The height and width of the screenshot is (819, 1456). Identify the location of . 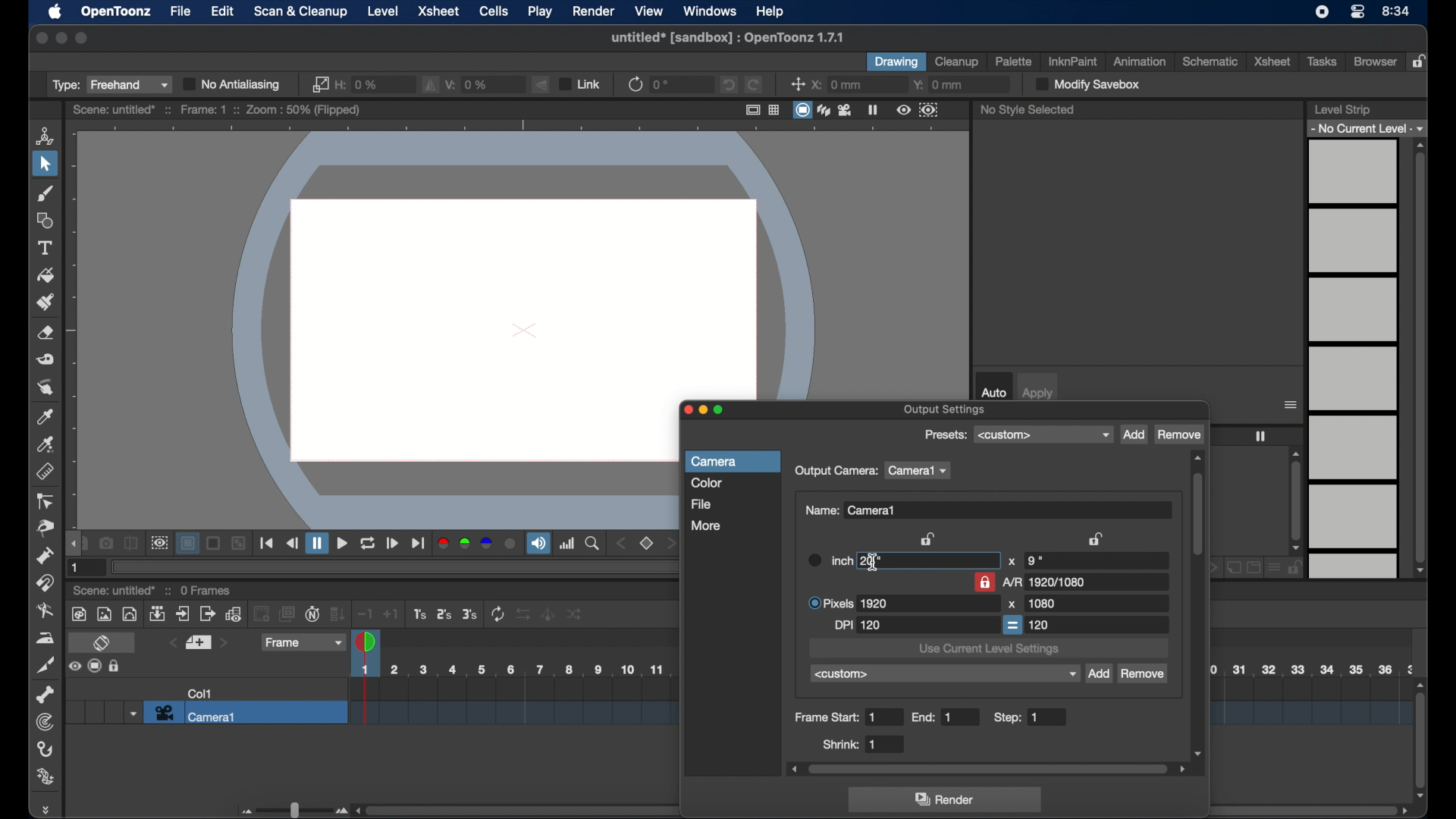
(526, 614).